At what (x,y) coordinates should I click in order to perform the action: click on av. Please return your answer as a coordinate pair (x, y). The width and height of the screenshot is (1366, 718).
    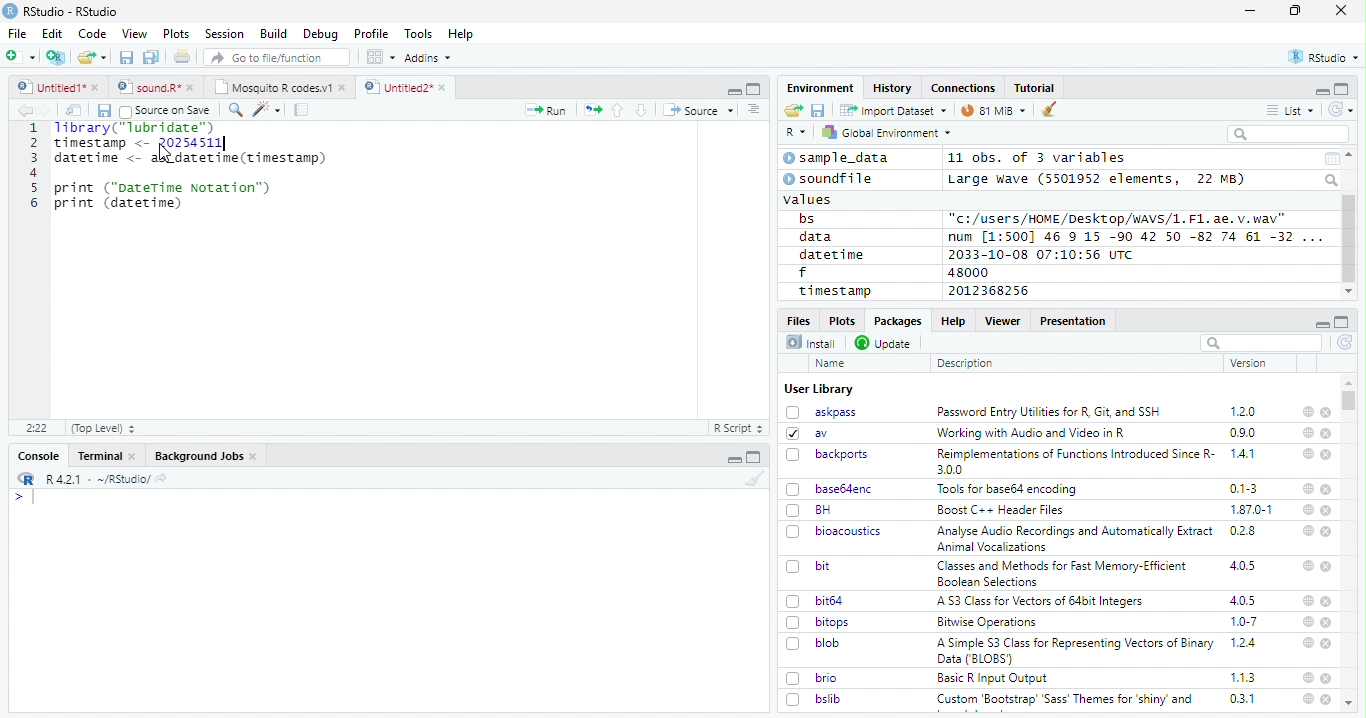
    Looking at the image, I should click on (807, 432).